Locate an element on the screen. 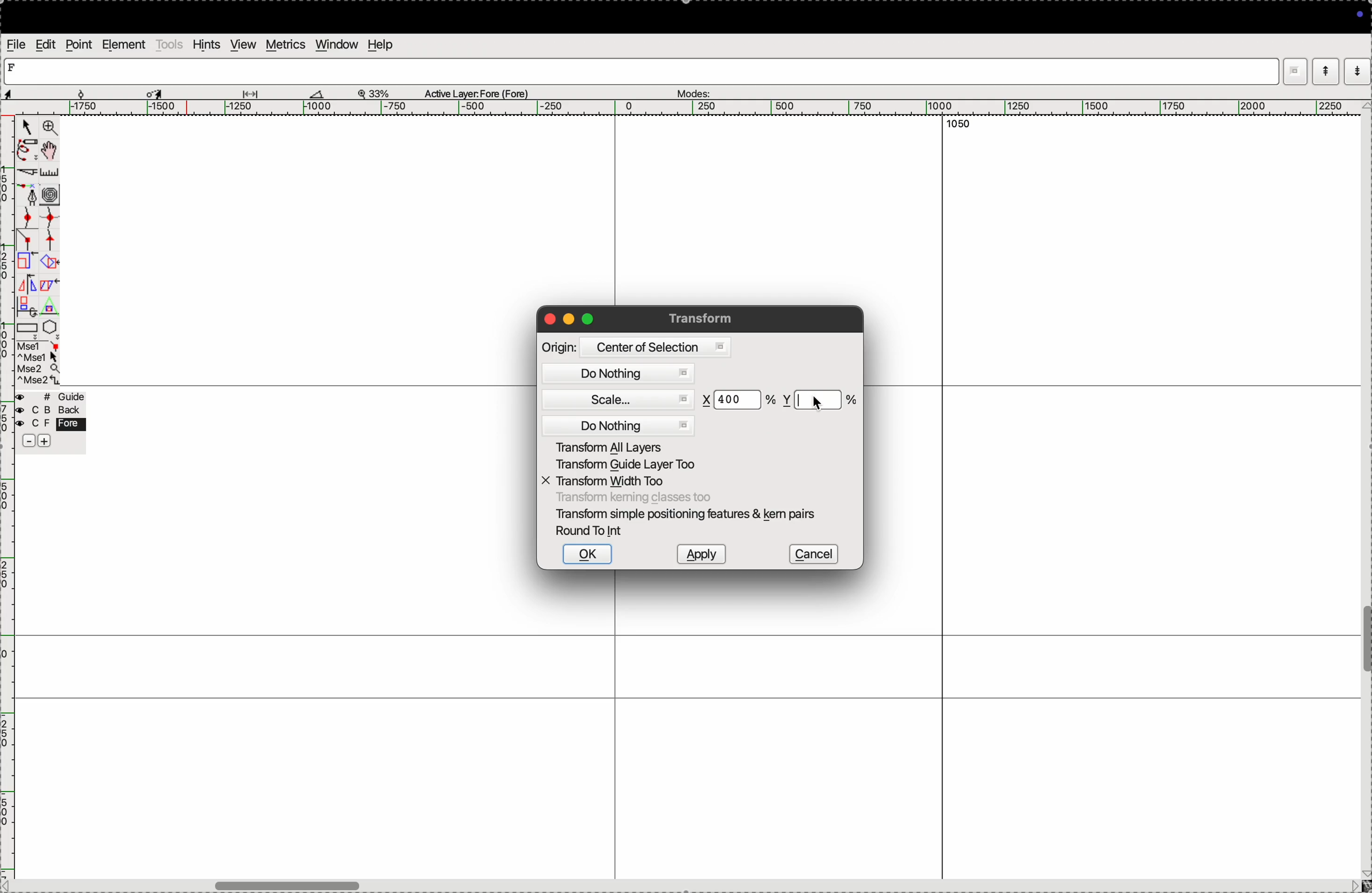  aspects is located at coordinates (42, 91).